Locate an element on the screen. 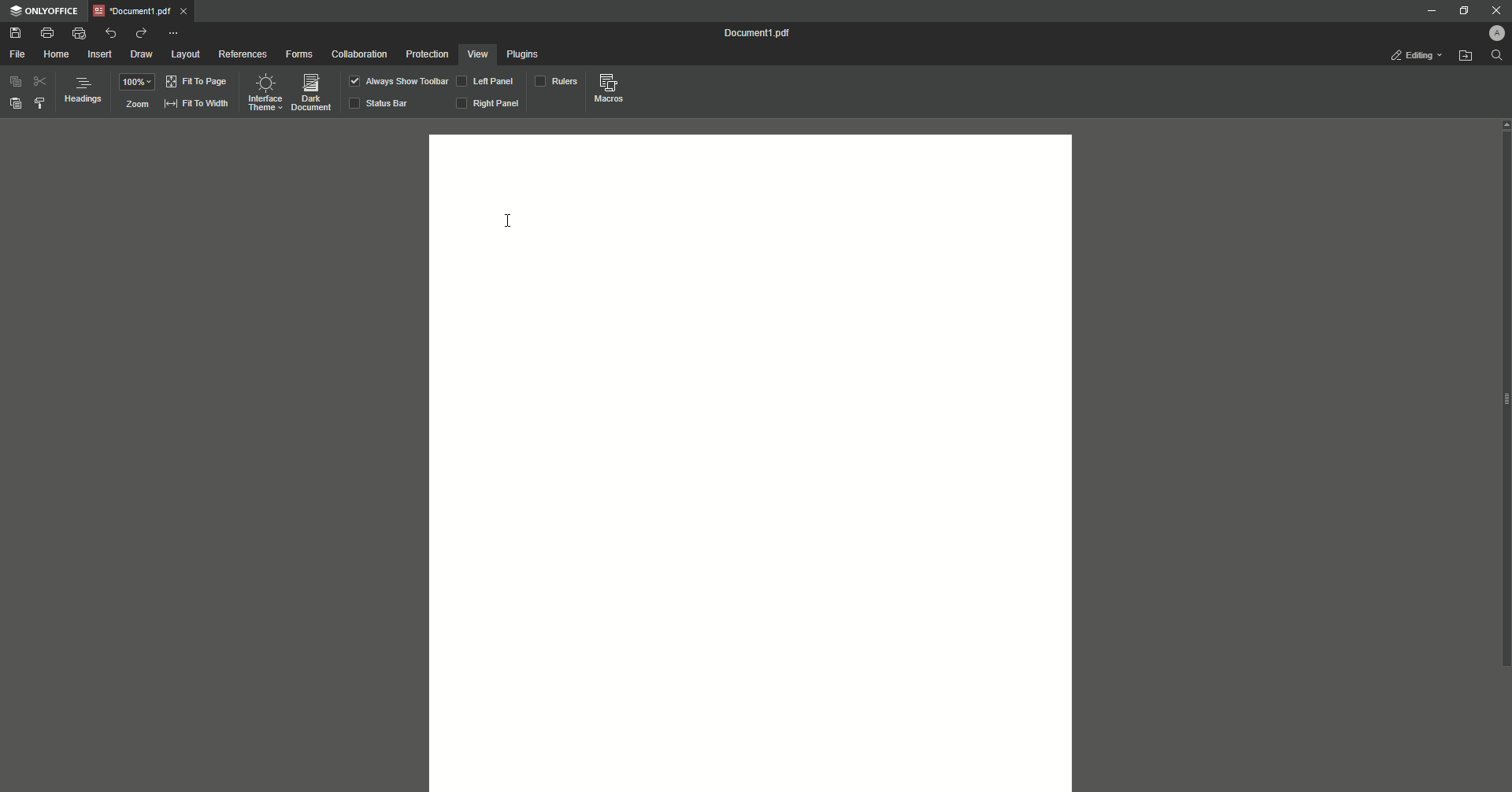 This screenshot has width=1512, height=792. Minimize is located at coordinates (1429, 12).